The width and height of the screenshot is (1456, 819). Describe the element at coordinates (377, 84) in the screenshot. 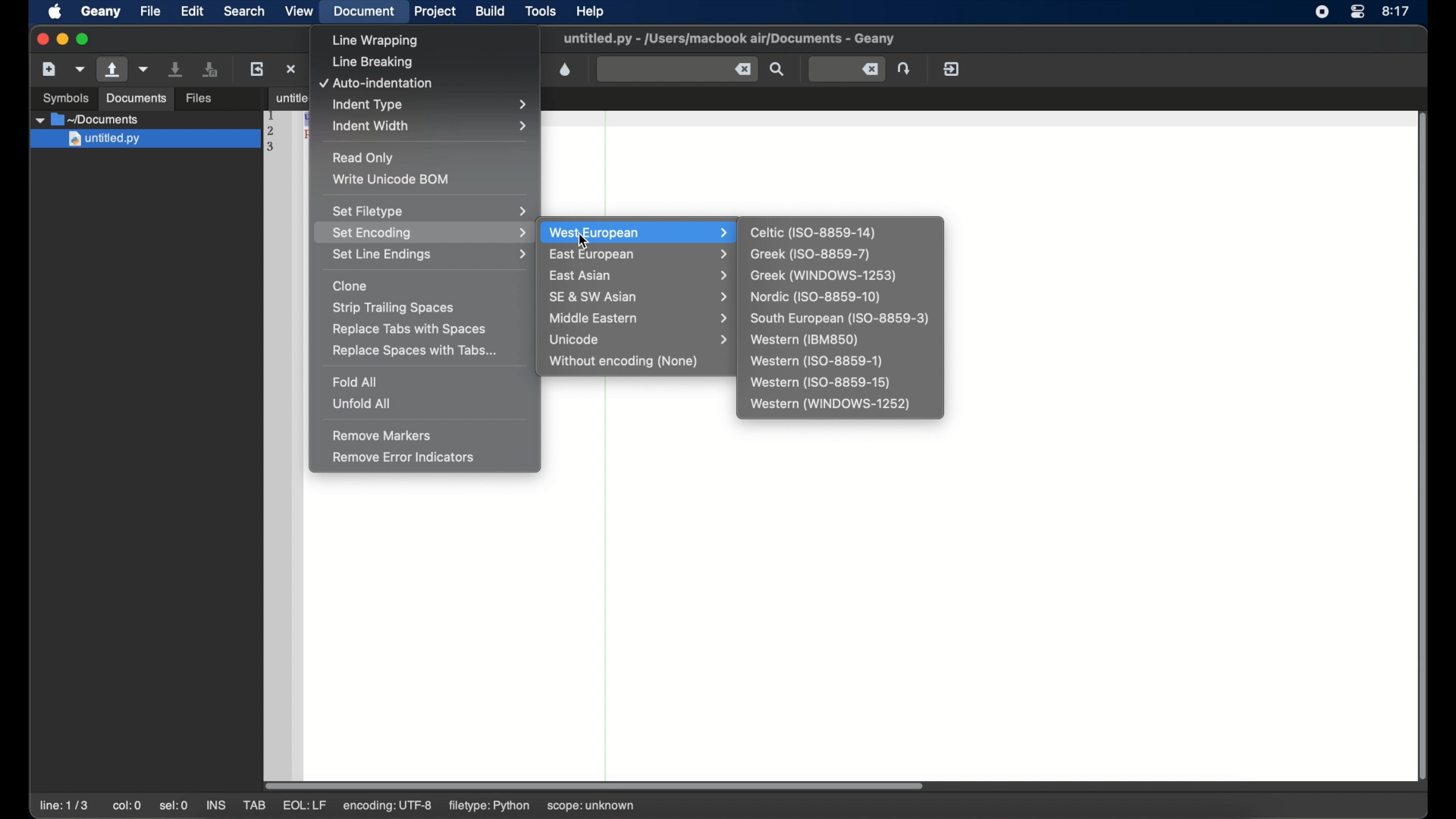

I see `auto indentation` at that location.